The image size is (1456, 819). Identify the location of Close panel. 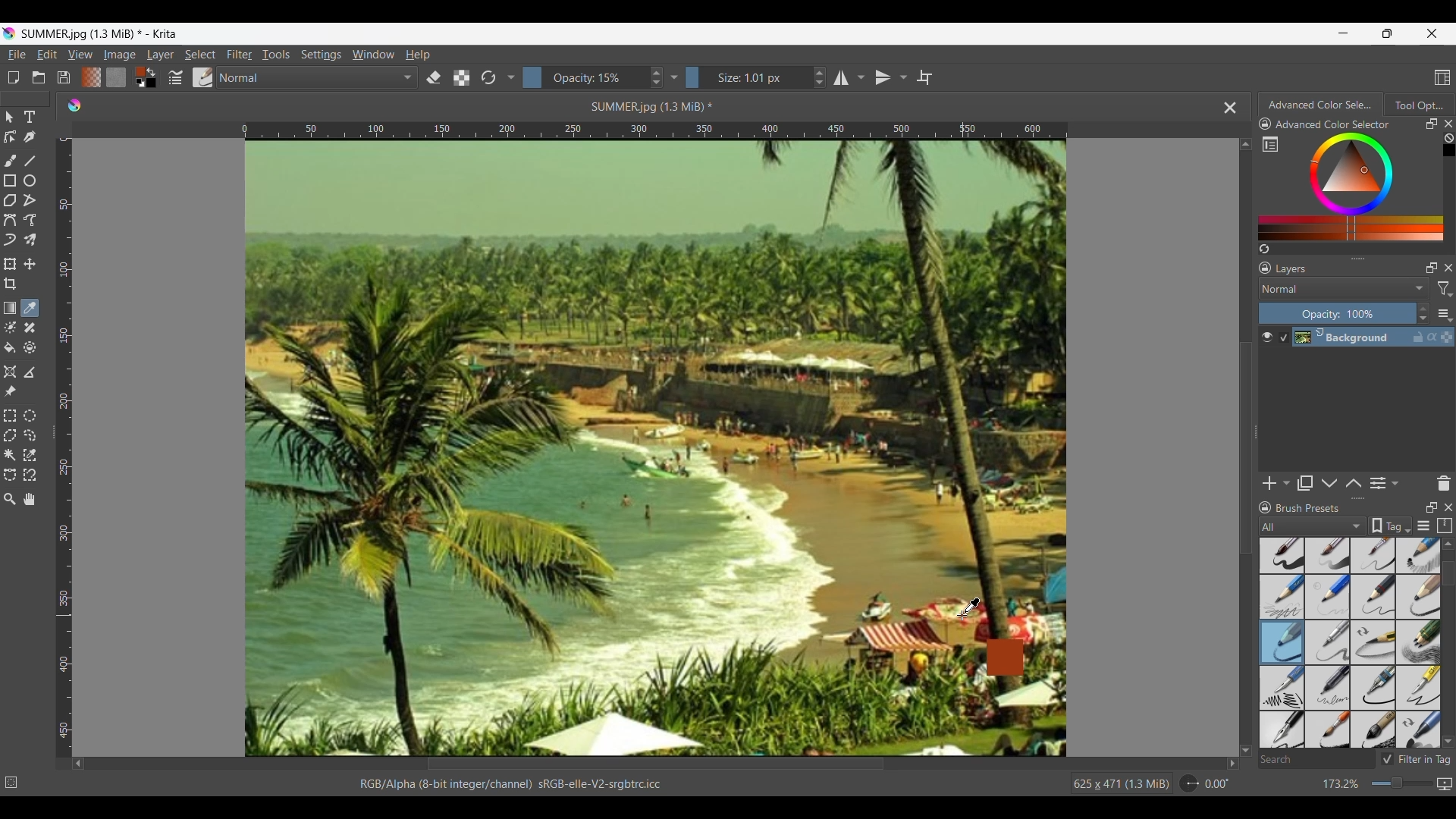
(1449, 268).